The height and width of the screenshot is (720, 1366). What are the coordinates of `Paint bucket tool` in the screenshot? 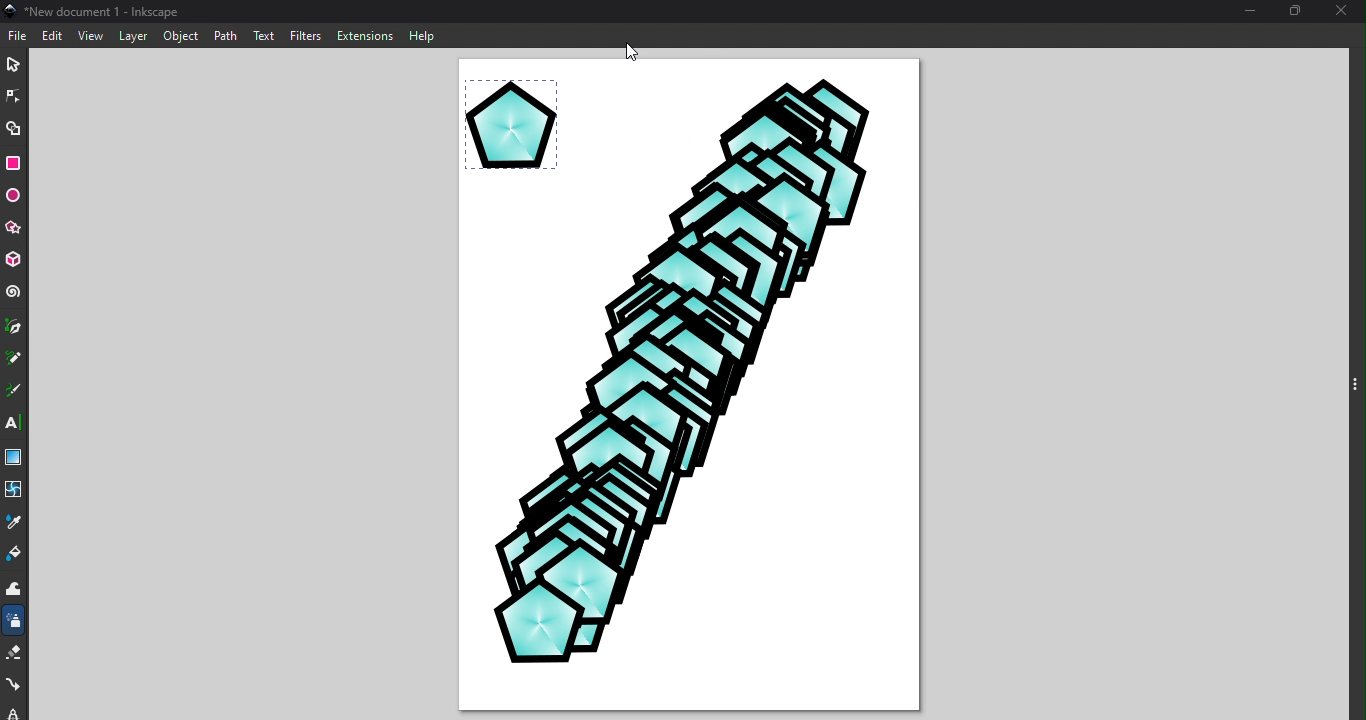 It's located at (13, 556).